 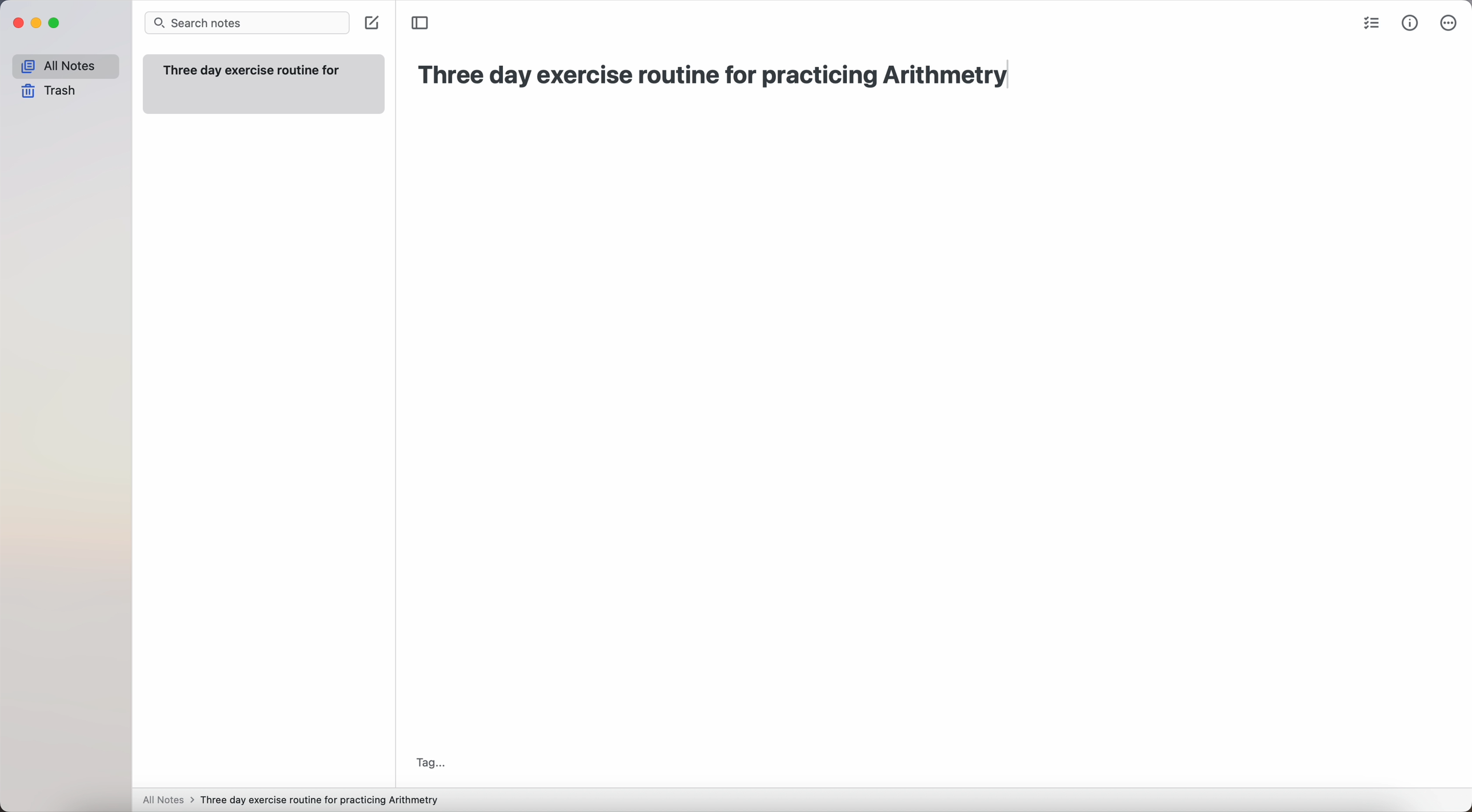 I want to click on create note, so click(x=372, y=24).